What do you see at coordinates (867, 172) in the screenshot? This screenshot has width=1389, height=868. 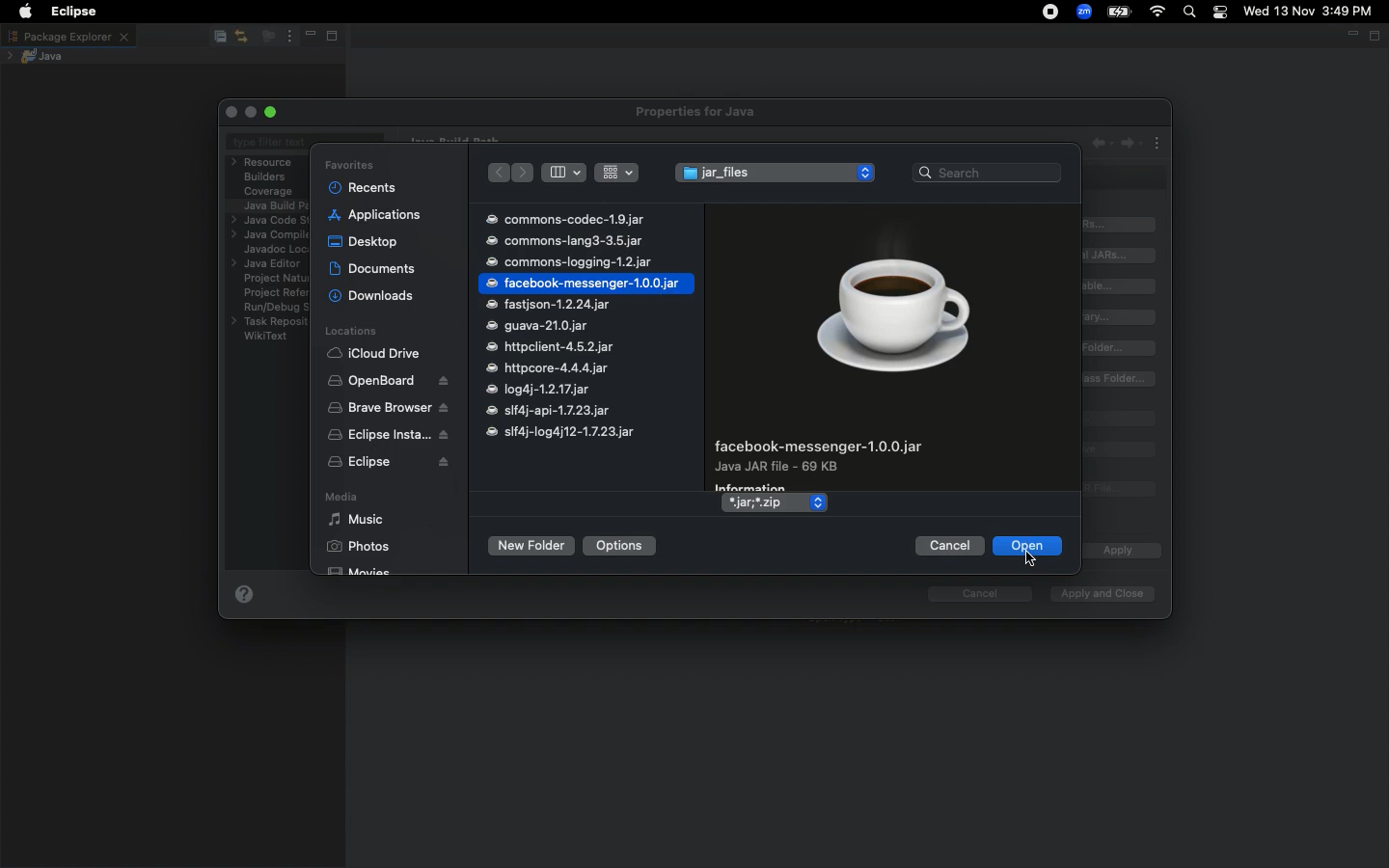 I see `increase/decrease arrows` at bounding box center [867, 172].